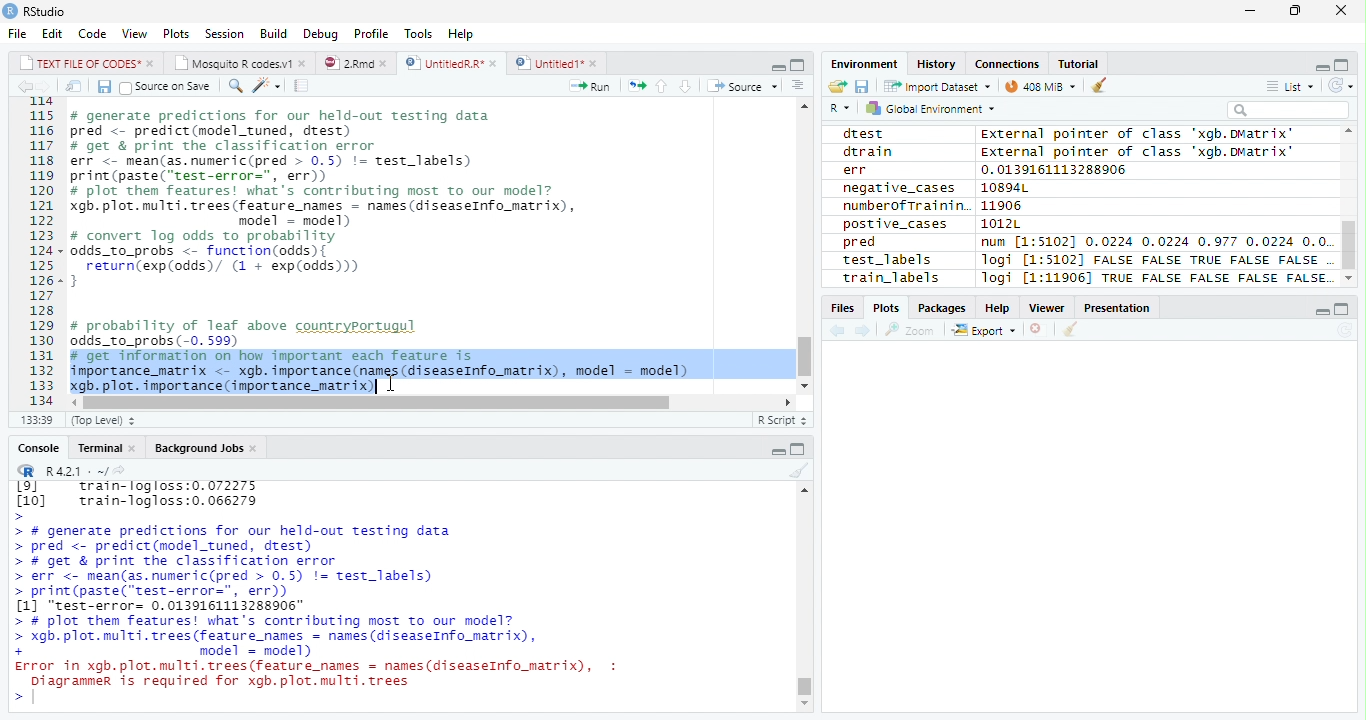 The image size is (1366, 720). I want to click on Plots, so click(174, 33).